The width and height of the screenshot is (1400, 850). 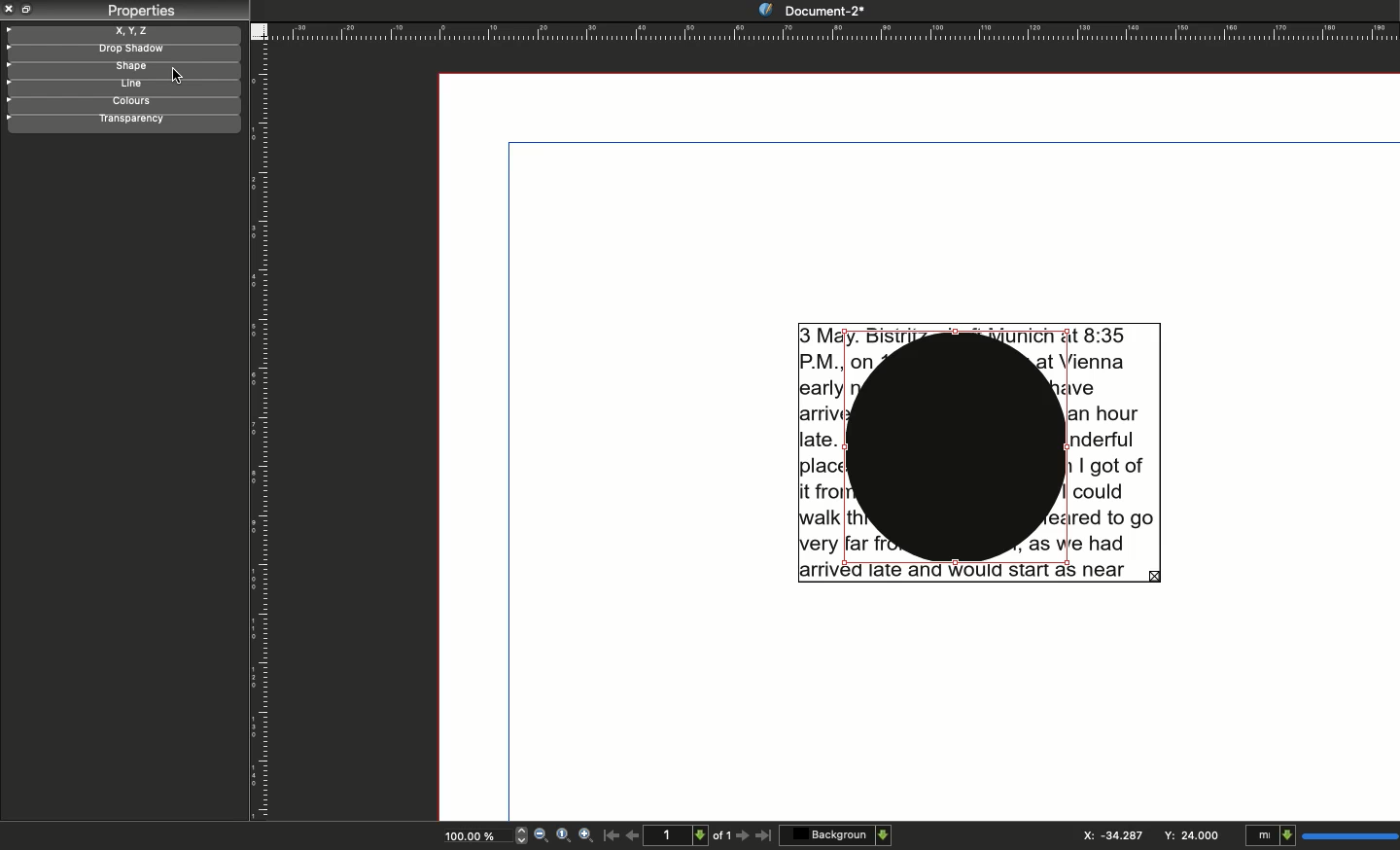 I want to click on Background, so click(x=835, y=834).